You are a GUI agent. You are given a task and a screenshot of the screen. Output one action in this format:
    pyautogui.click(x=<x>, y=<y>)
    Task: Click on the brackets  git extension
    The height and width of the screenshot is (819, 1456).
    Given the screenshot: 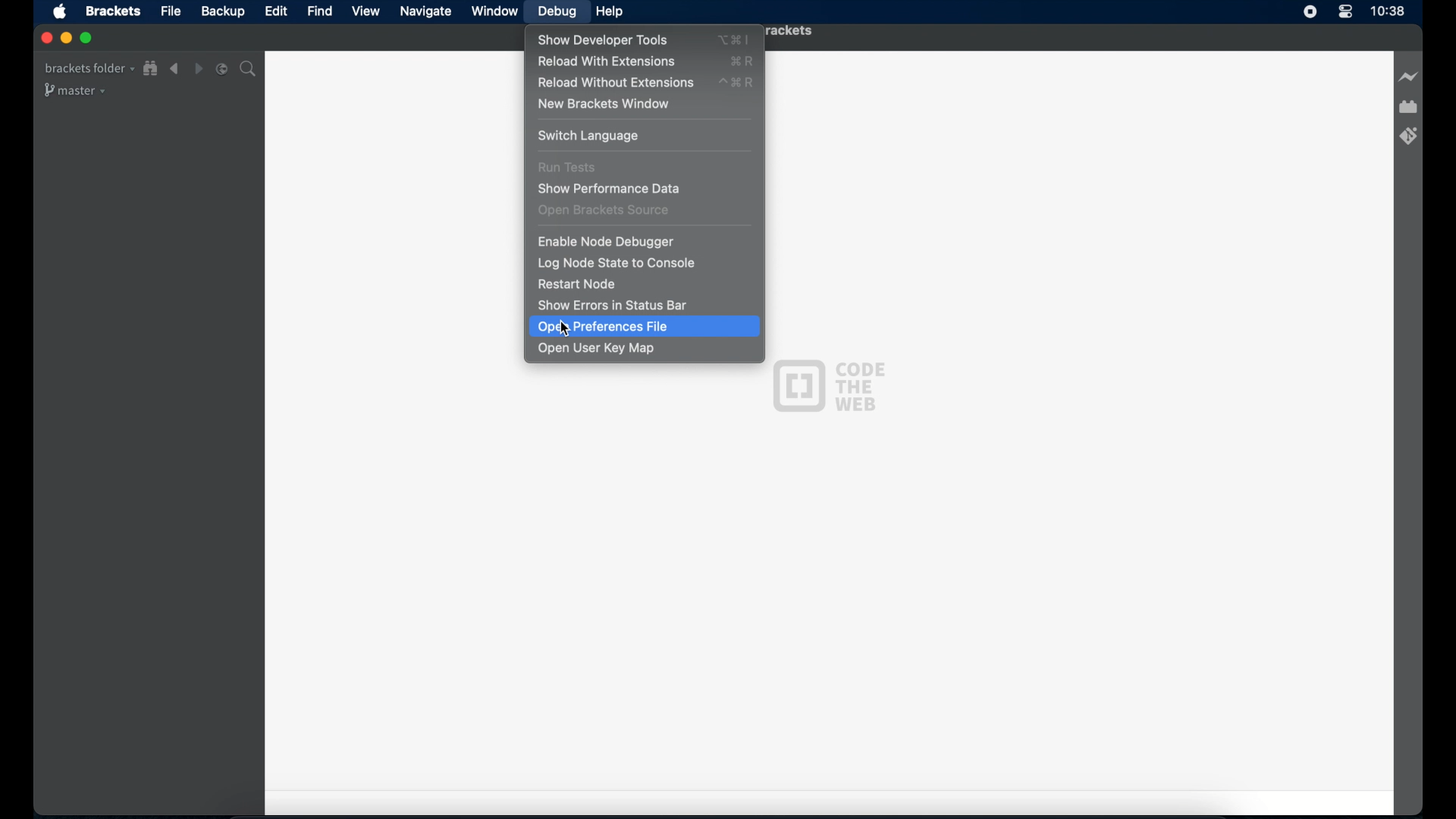 What is the action you would take?
    pyautogui.click(x=1408, y=136)
    